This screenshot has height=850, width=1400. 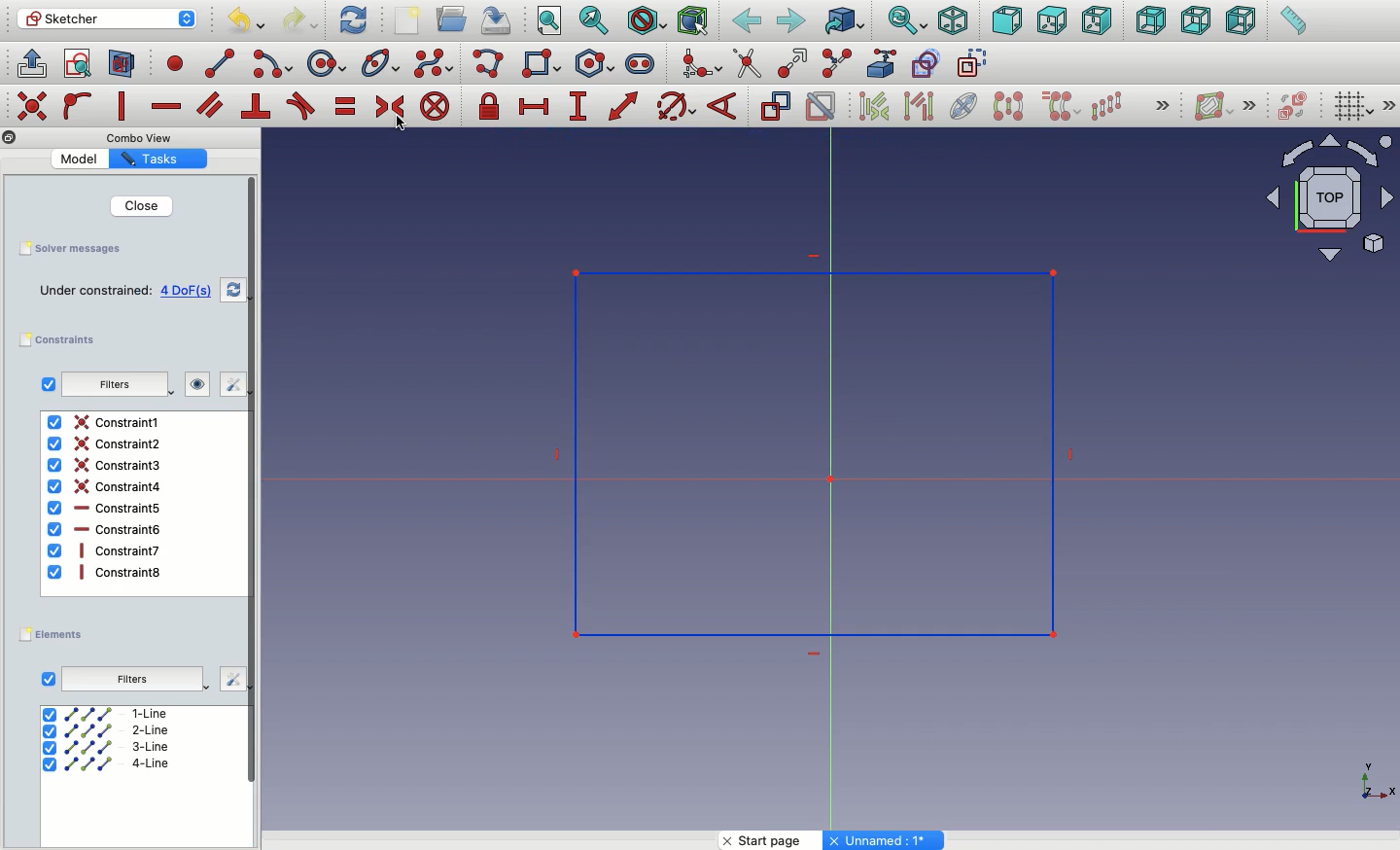 I want to click on Carbon copy, so click(x=925, y=63).